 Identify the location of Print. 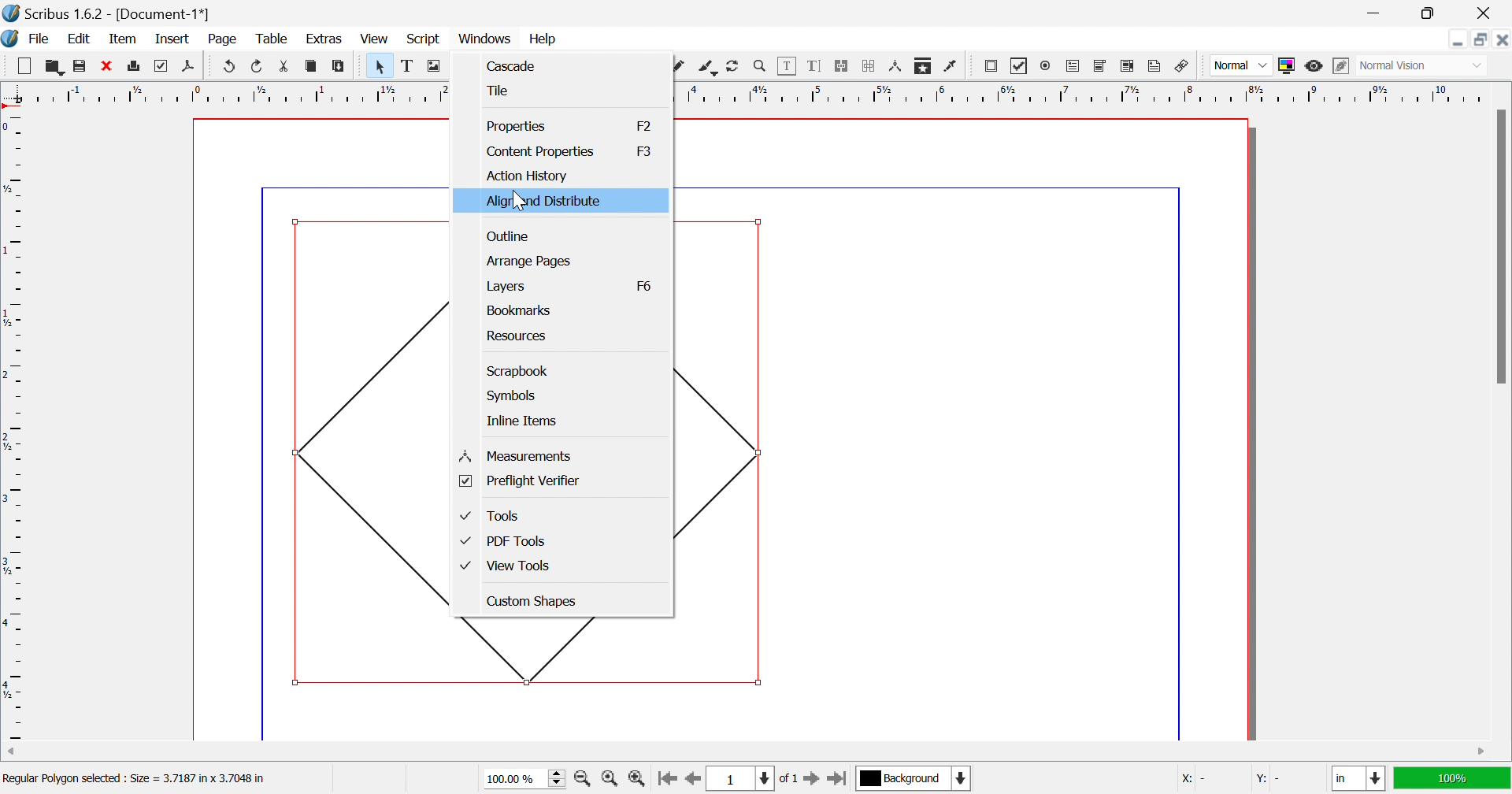
(158, 66).